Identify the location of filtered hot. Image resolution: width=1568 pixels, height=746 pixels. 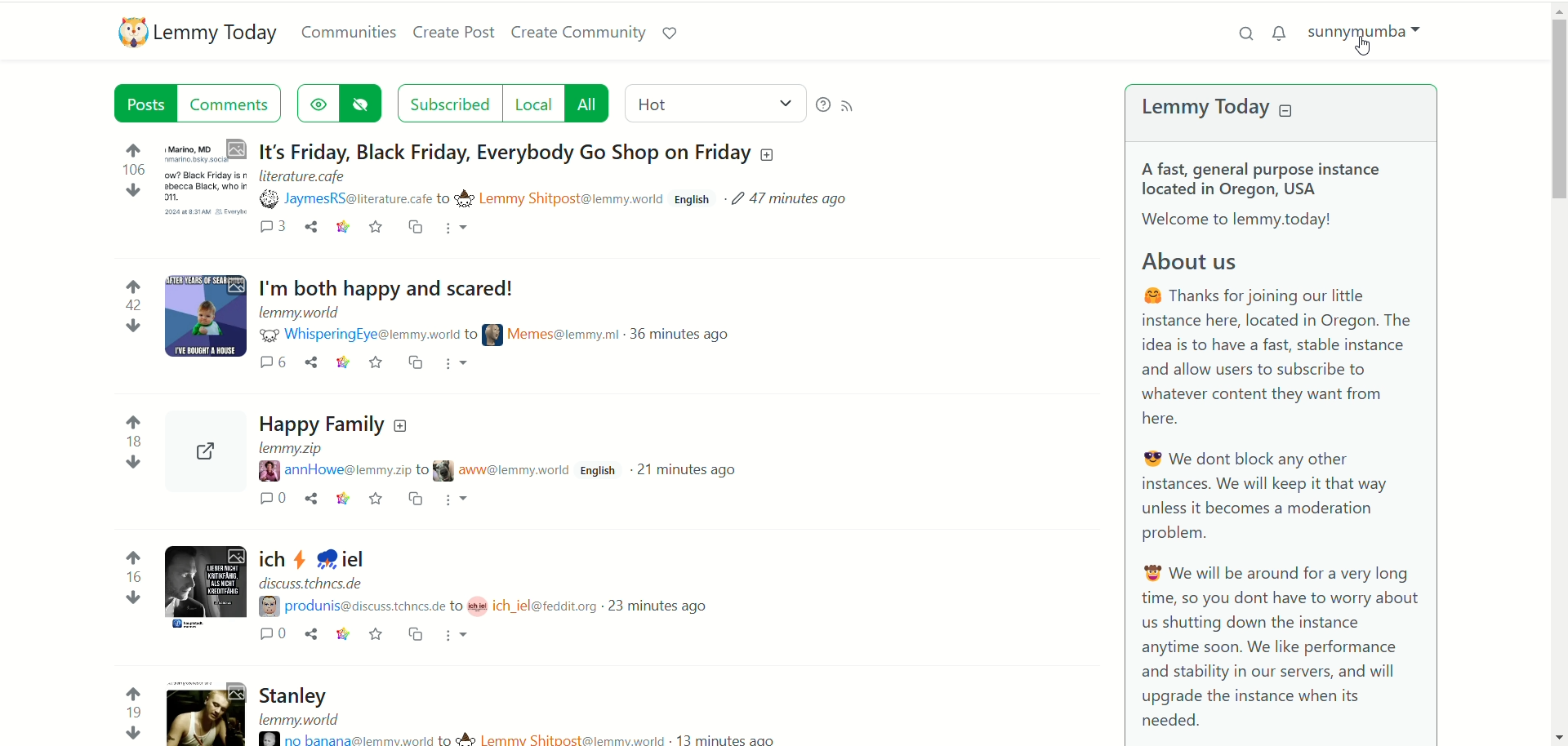
(712, 101).